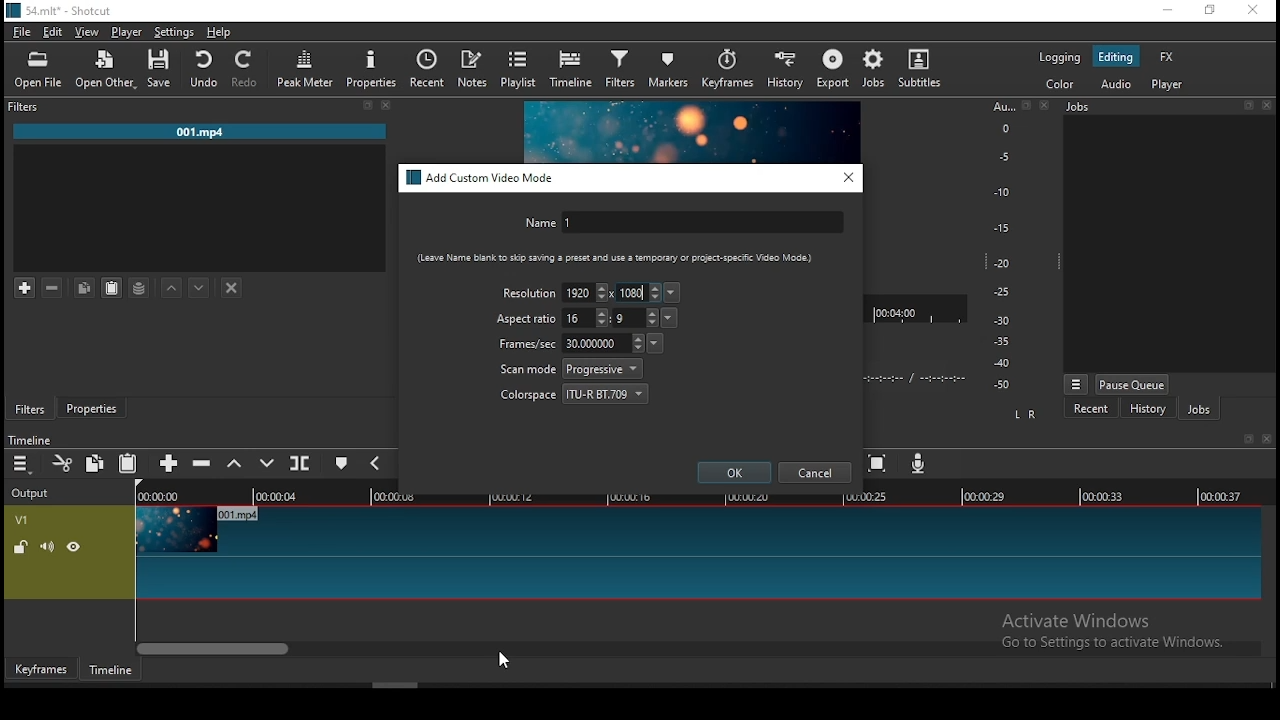  I want to click on close, so click(1047, 105).